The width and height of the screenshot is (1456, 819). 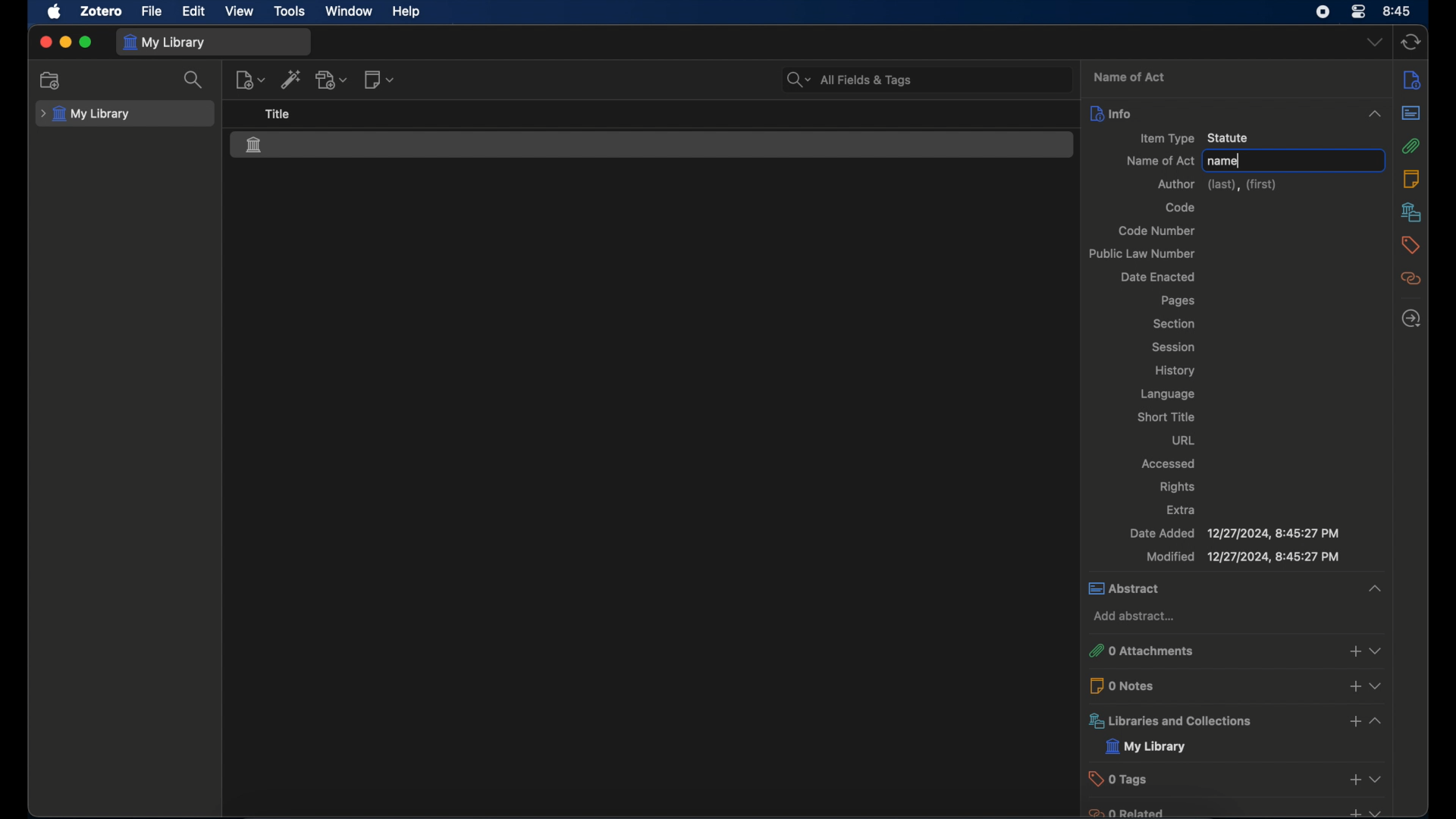 I want to click on public law number, so click(x=1141, y=253).